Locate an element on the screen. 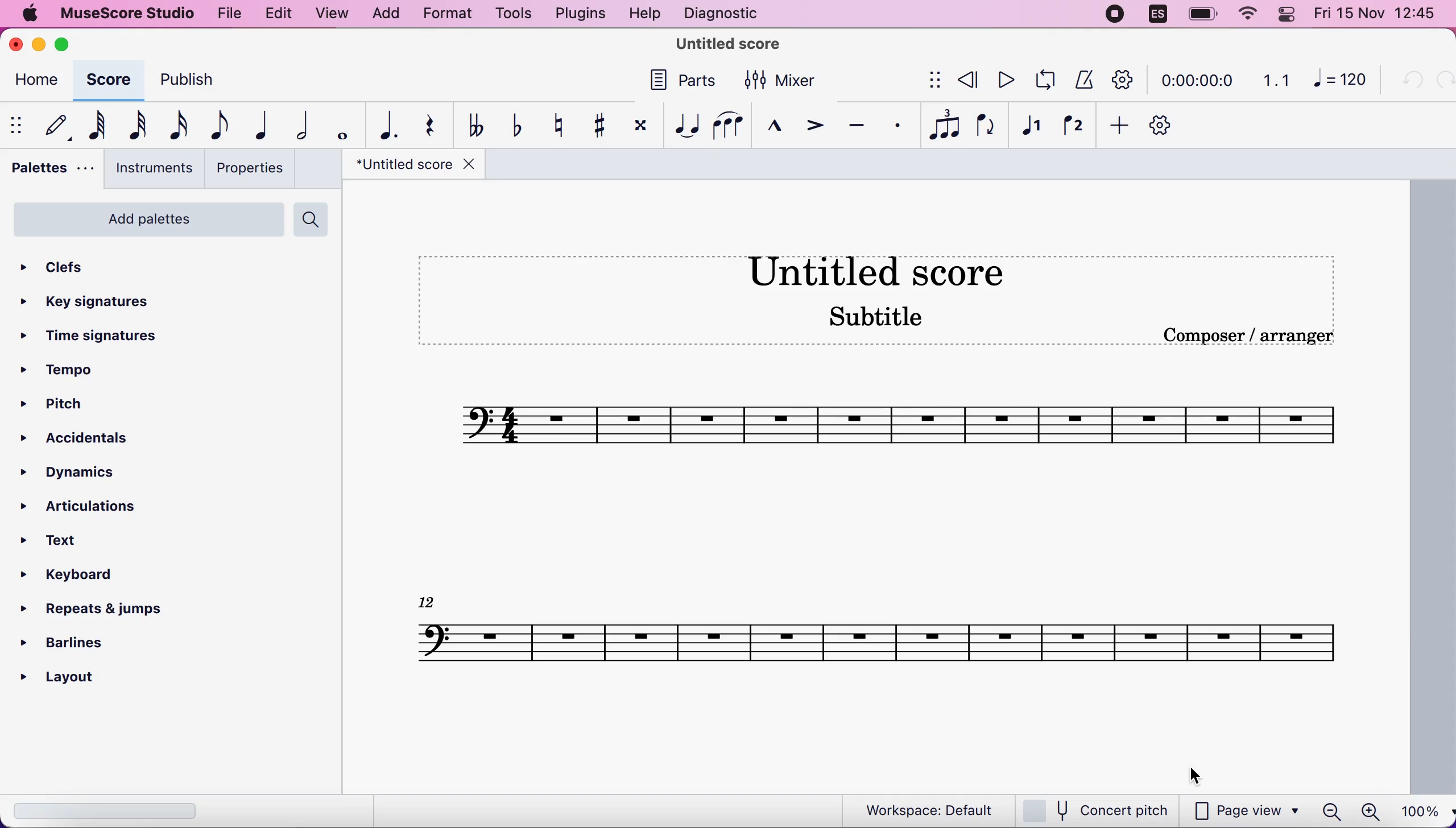 The height and width of the screenshot is (828, 1456). toggle flat is located at coordinates (511, 125).